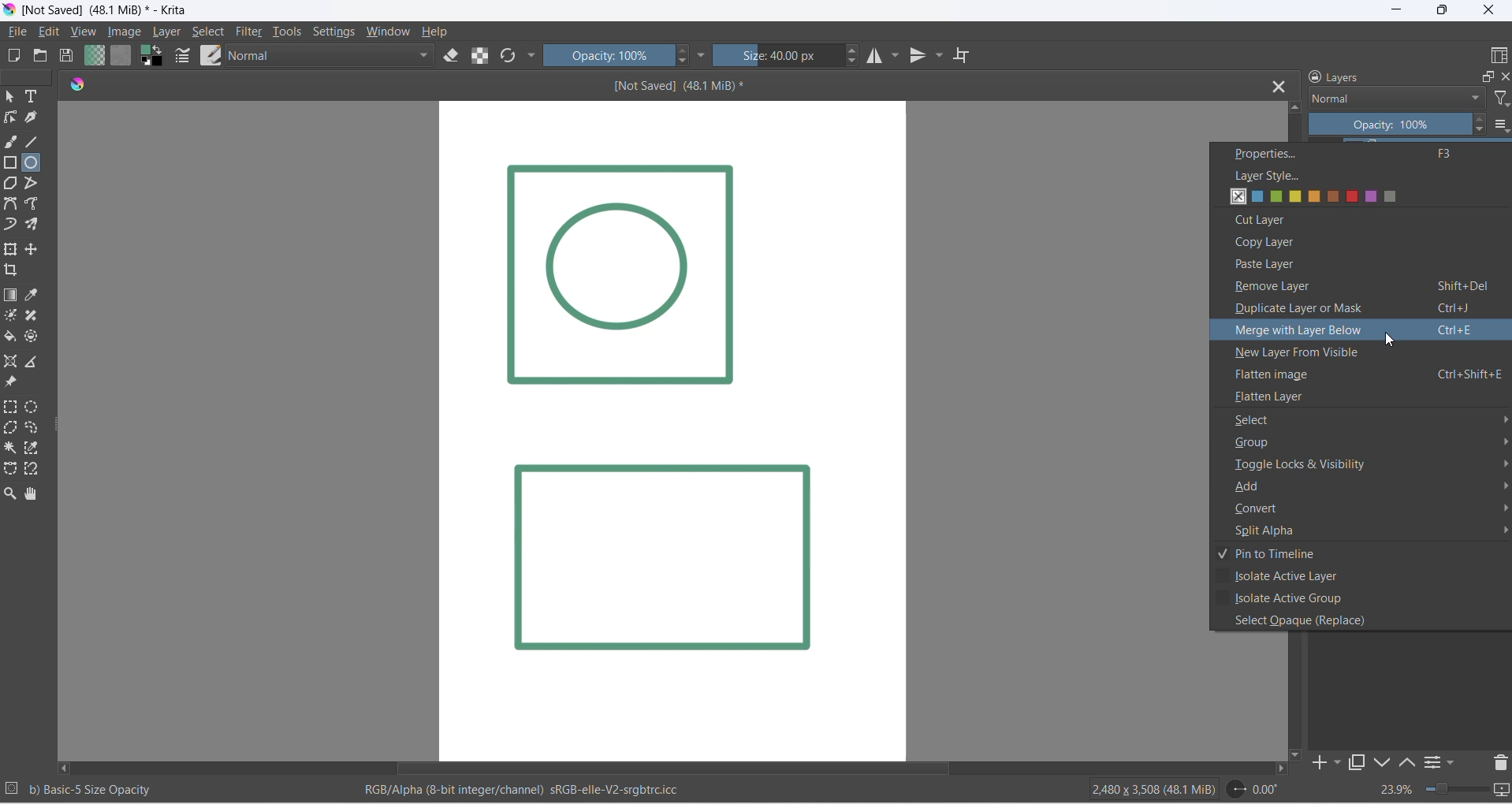 The height and width of the screenshot is (804, 1512). I want to click on layers heading, so click(1380, 76).